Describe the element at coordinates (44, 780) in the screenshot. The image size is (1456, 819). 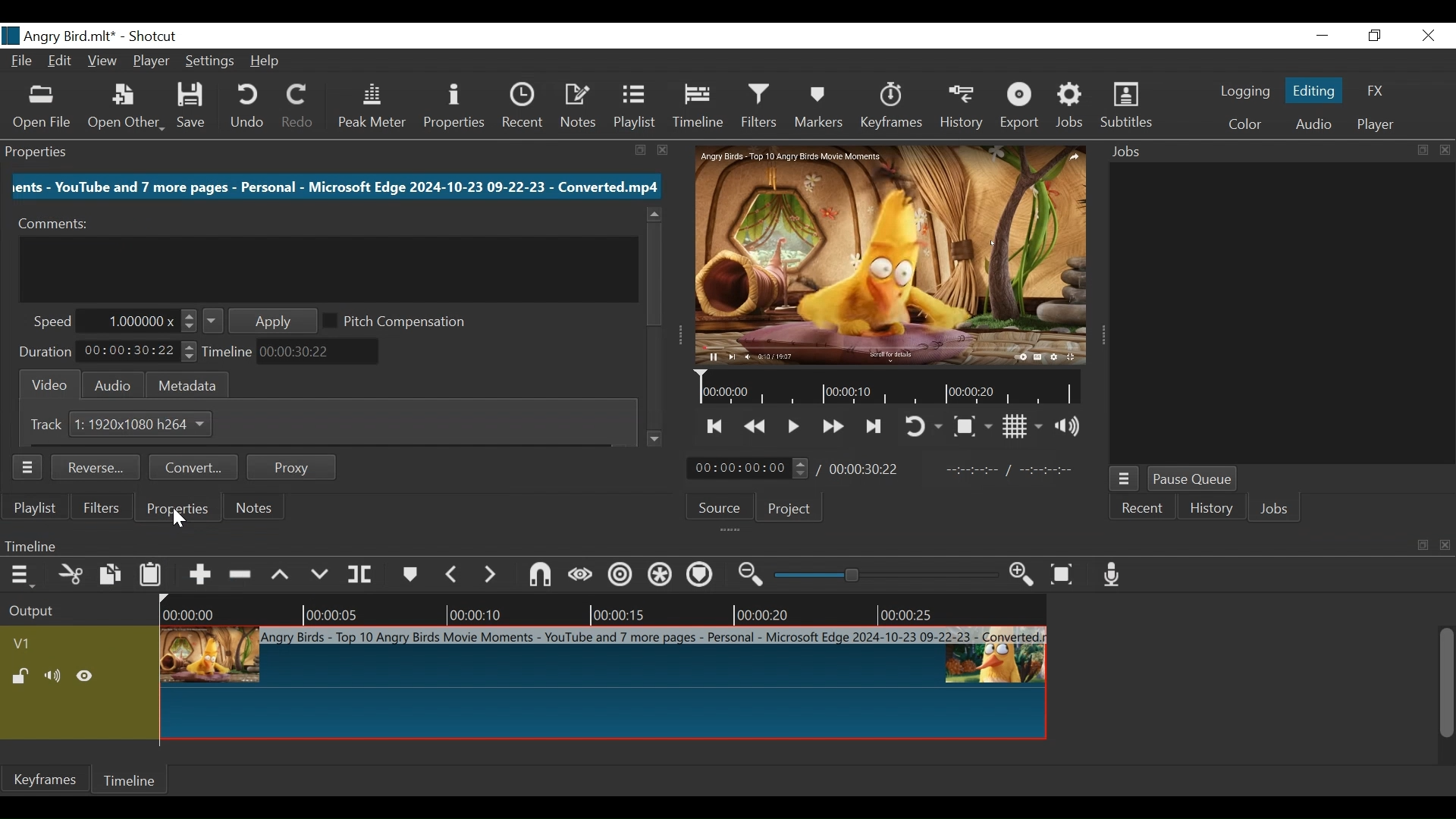
I see `Keyframe` at that location.